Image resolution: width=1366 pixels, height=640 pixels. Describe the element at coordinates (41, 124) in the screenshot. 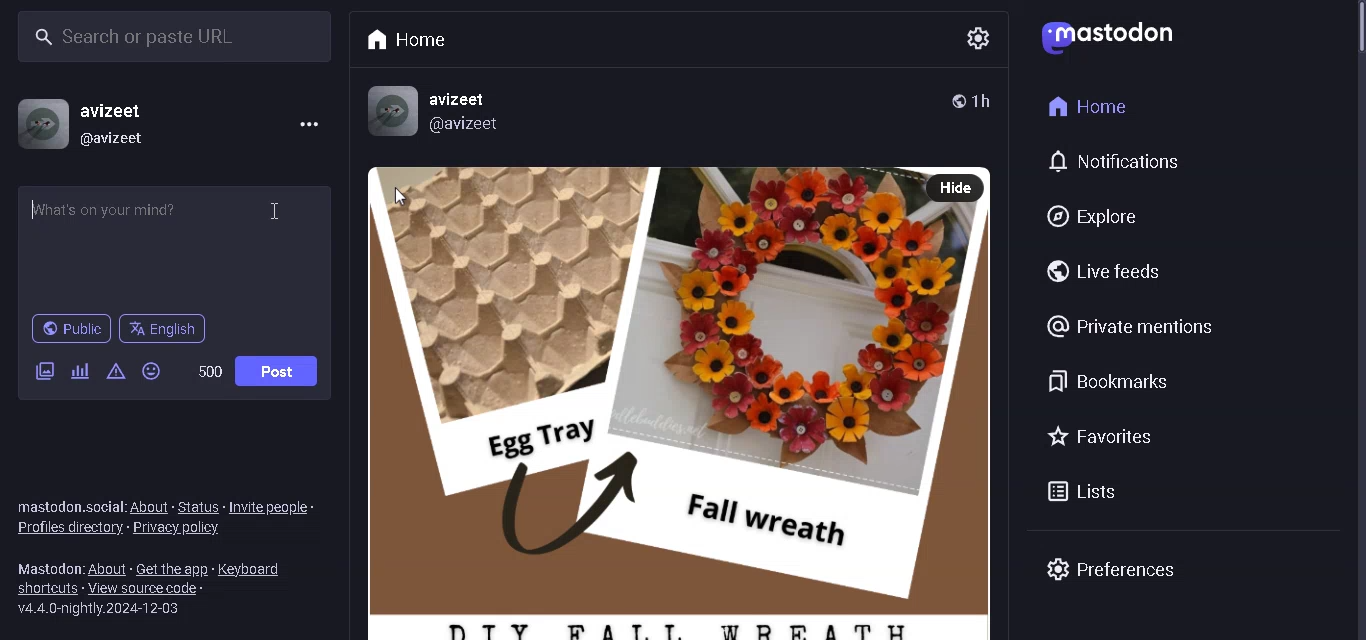

I see `PROFILE PICTURE` at that location.